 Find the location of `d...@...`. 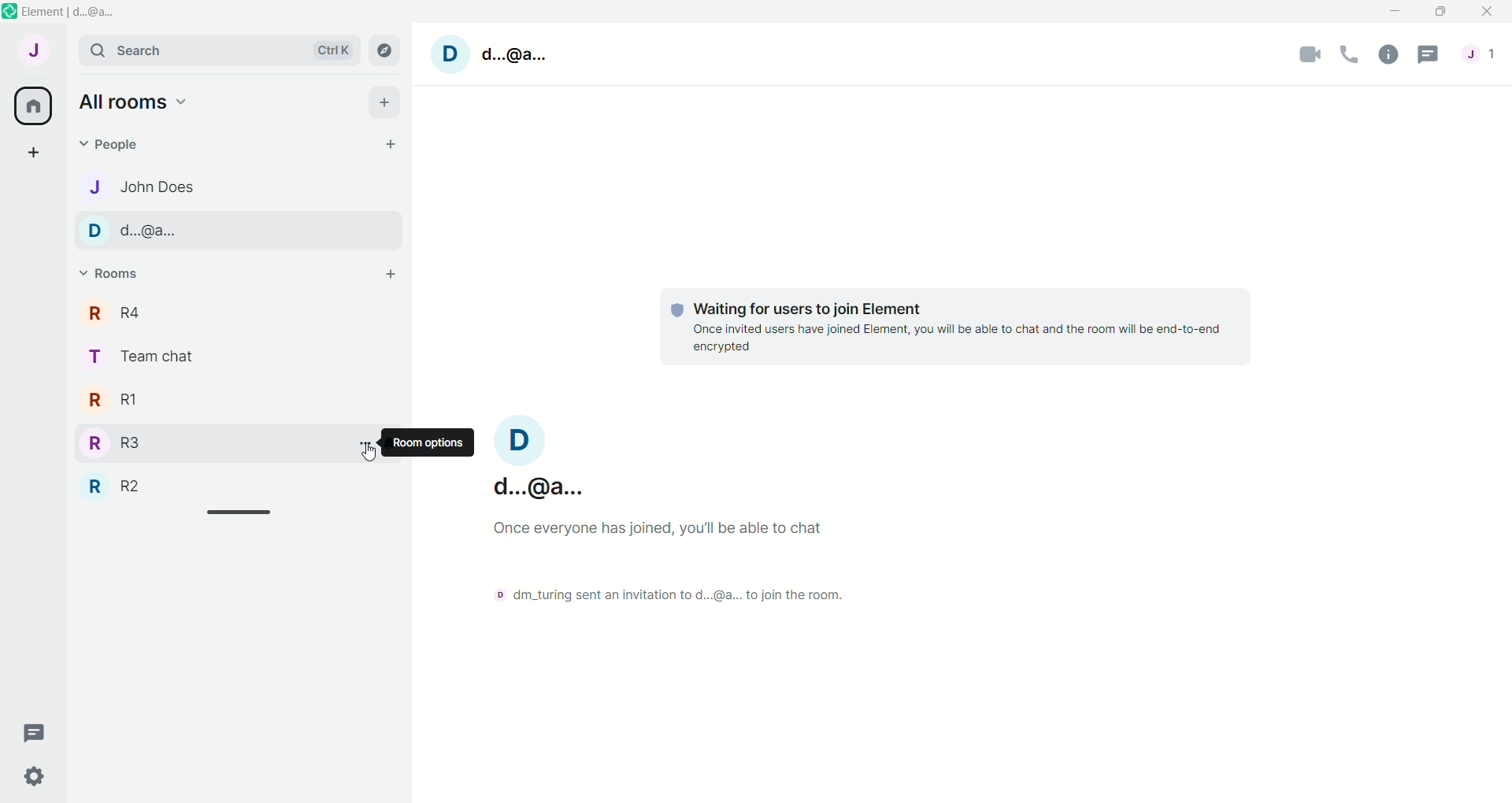

d...@... is located at coordinates (238, 231).